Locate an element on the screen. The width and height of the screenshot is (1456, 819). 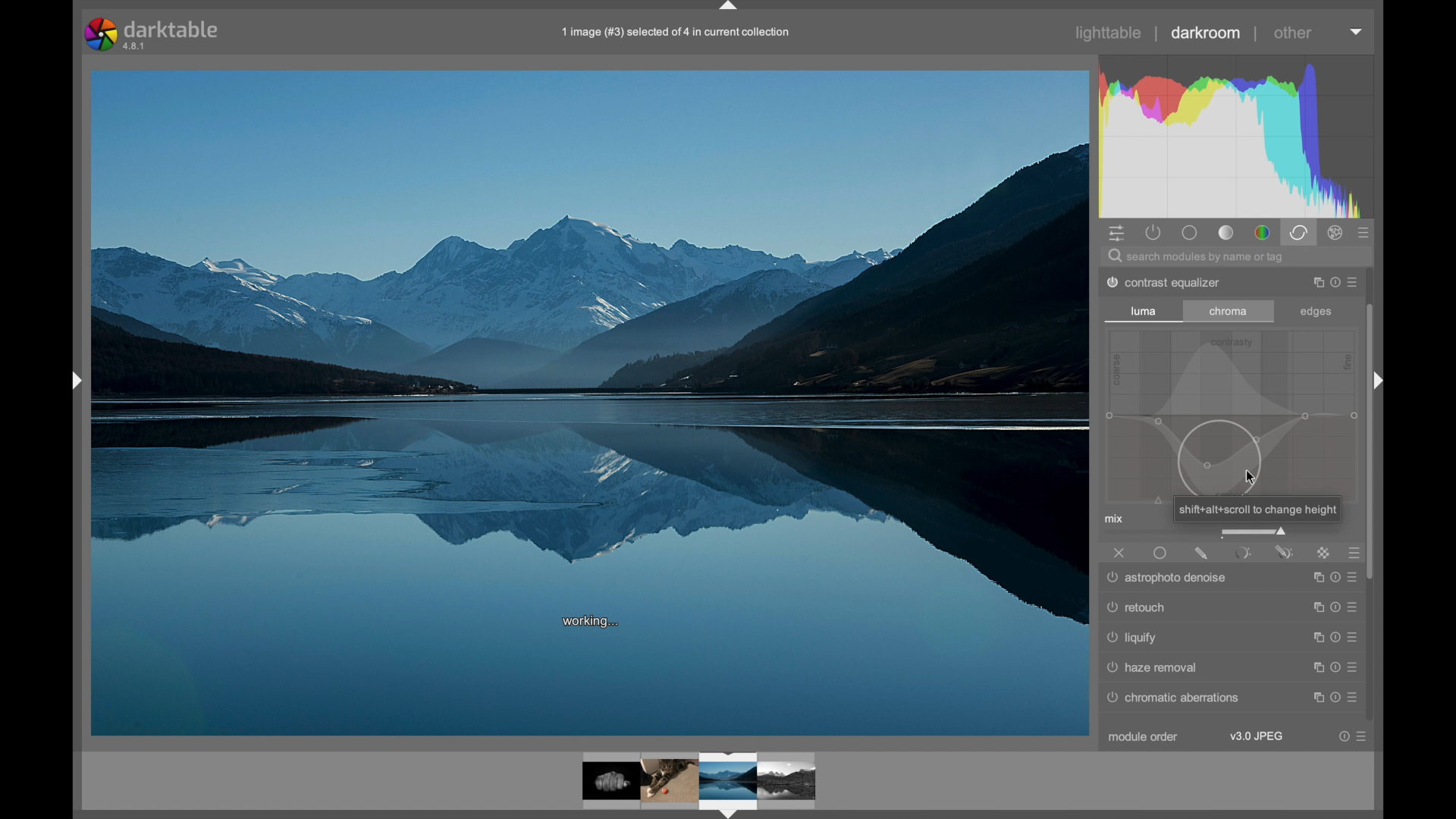
base is located at coordinates (1191, 233).